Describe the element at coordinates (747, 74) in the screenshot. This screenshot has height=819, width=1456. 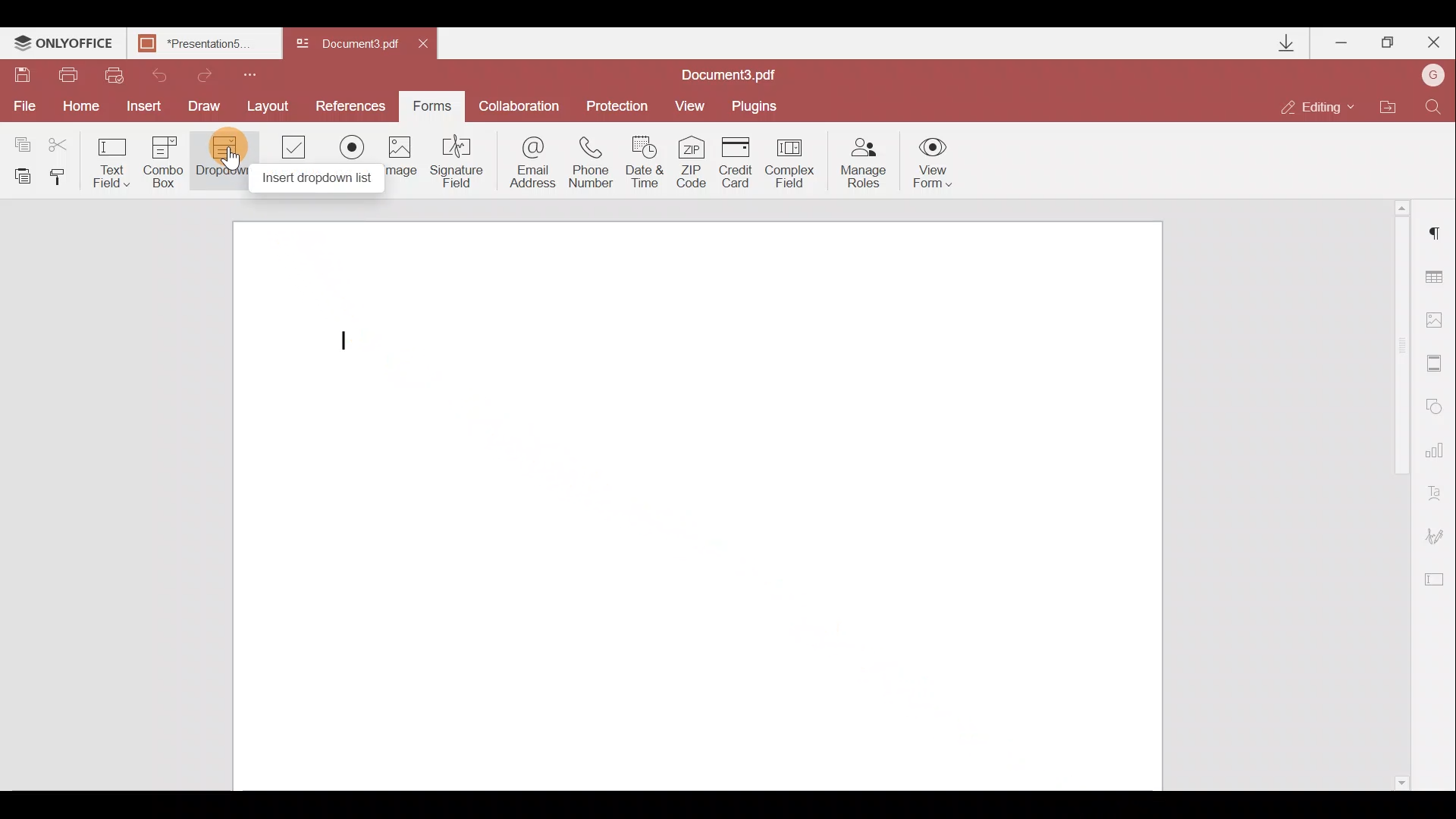
I see `Document3.pdf` at that location.